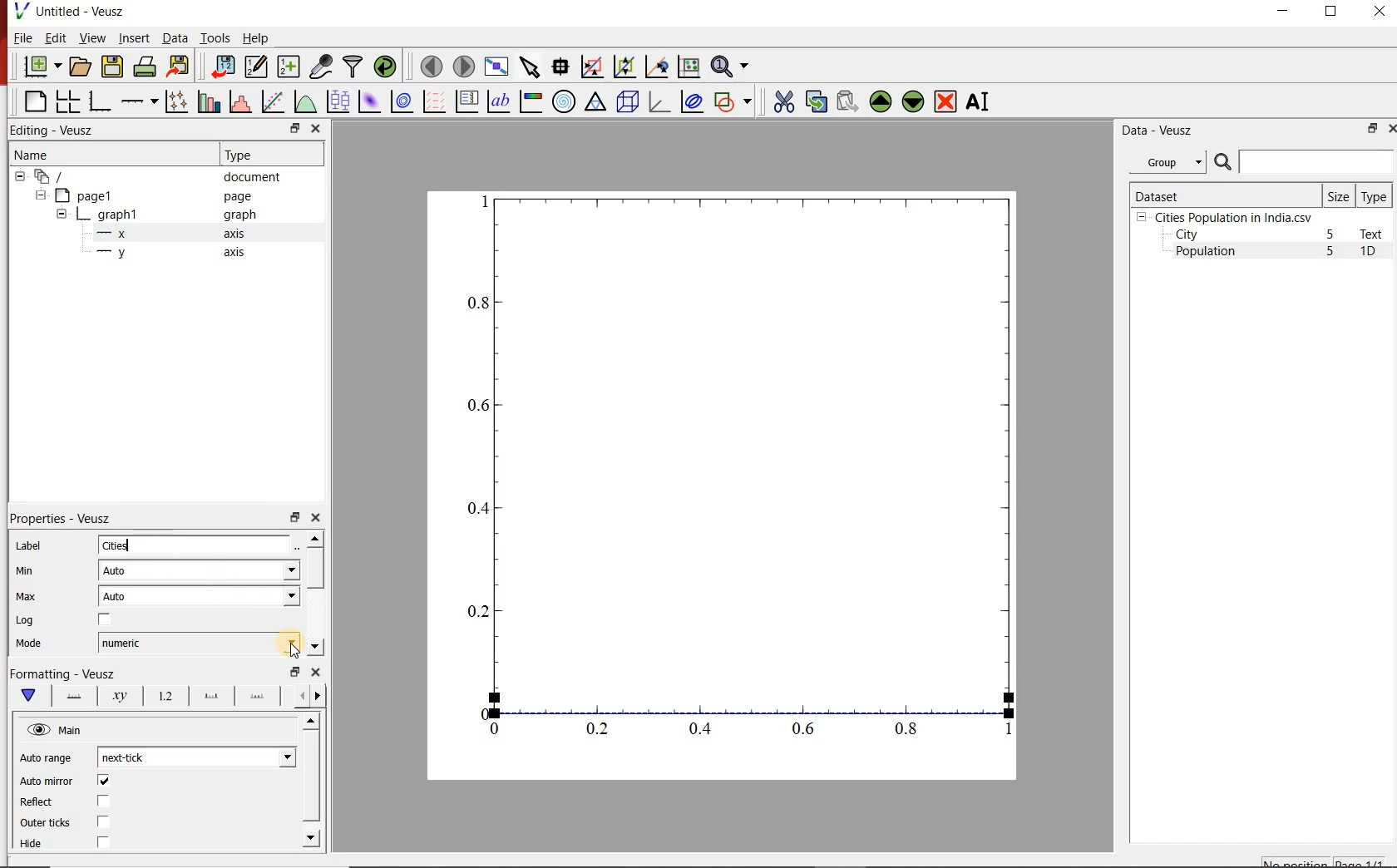  I want to click on plot a 2d dataset as contours, so click(400, 101).